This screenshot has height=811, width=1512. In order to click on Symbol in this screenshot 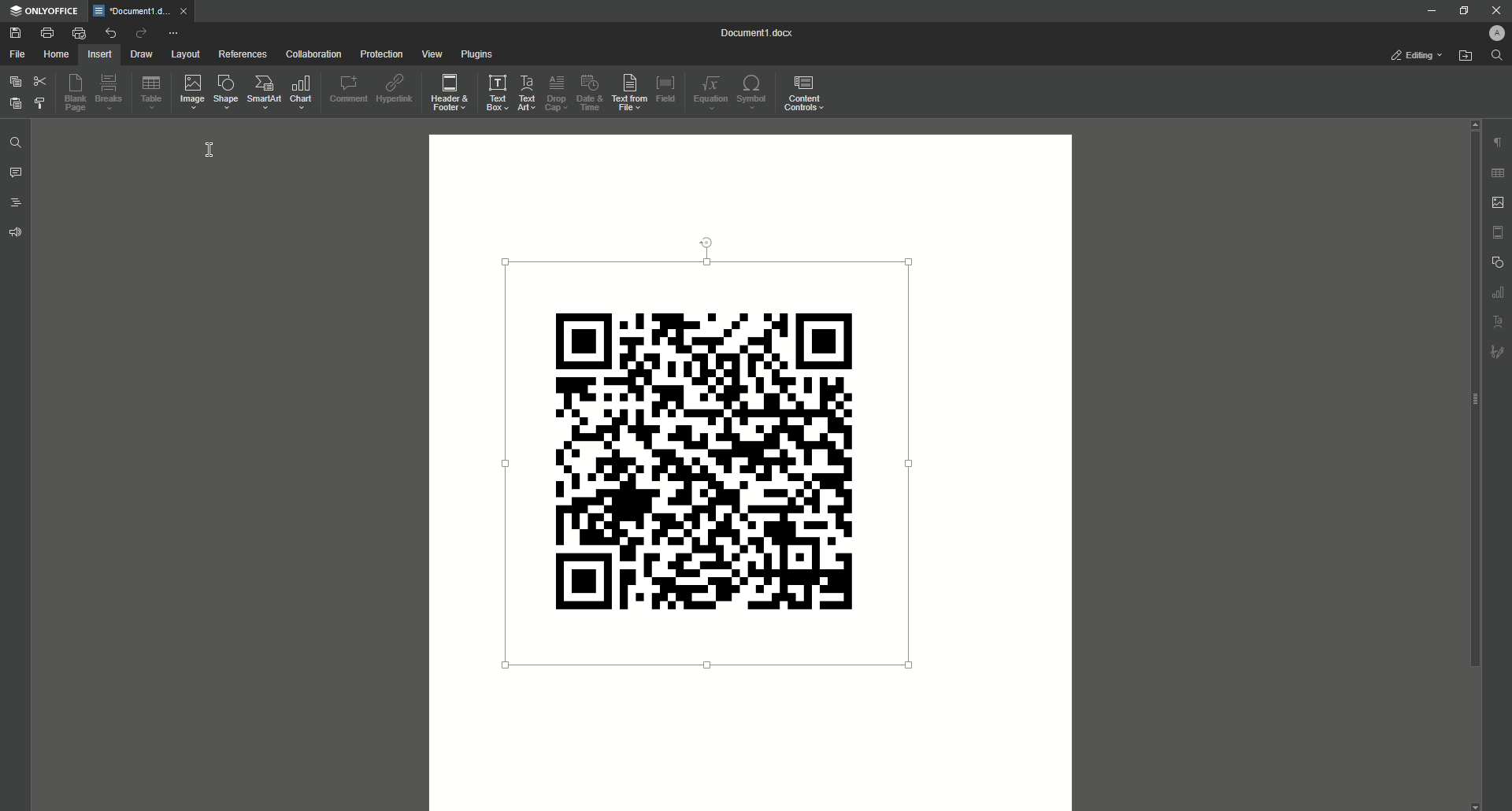, I will do `click(751, 92)`.